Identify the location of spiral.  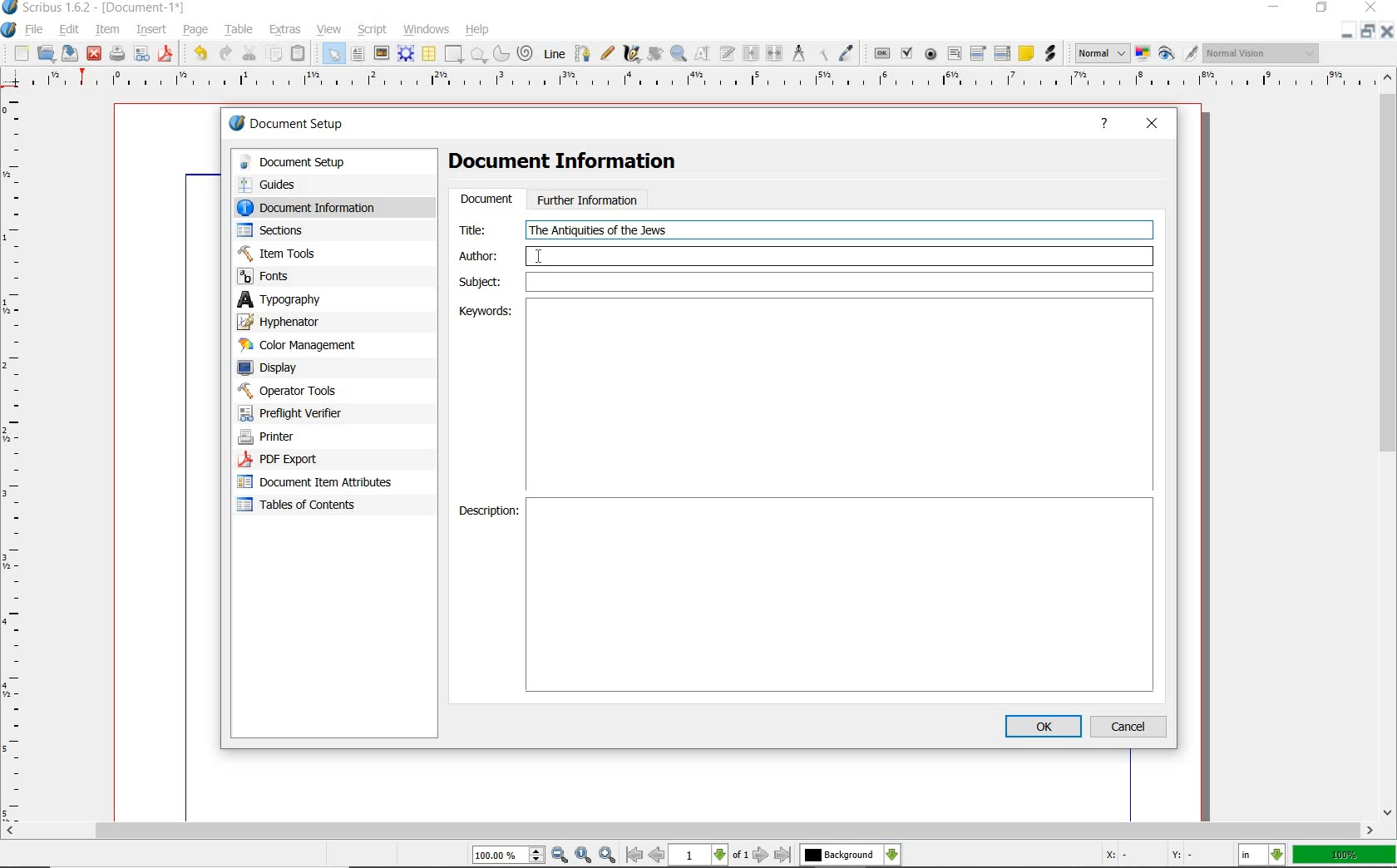
(527, 52).